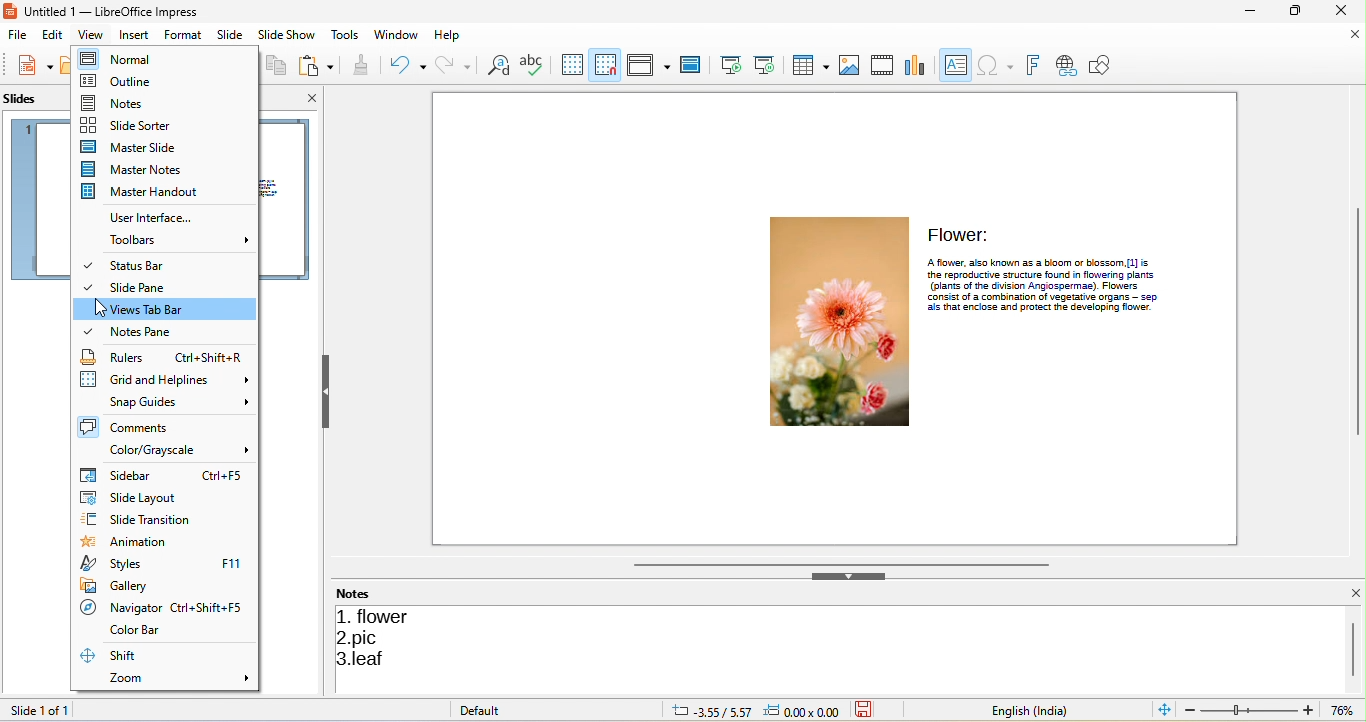 This screenshot has height=722, width=1366. Describe the element at coordinates (397, 34) in the screenshot. I see `window` at that location.